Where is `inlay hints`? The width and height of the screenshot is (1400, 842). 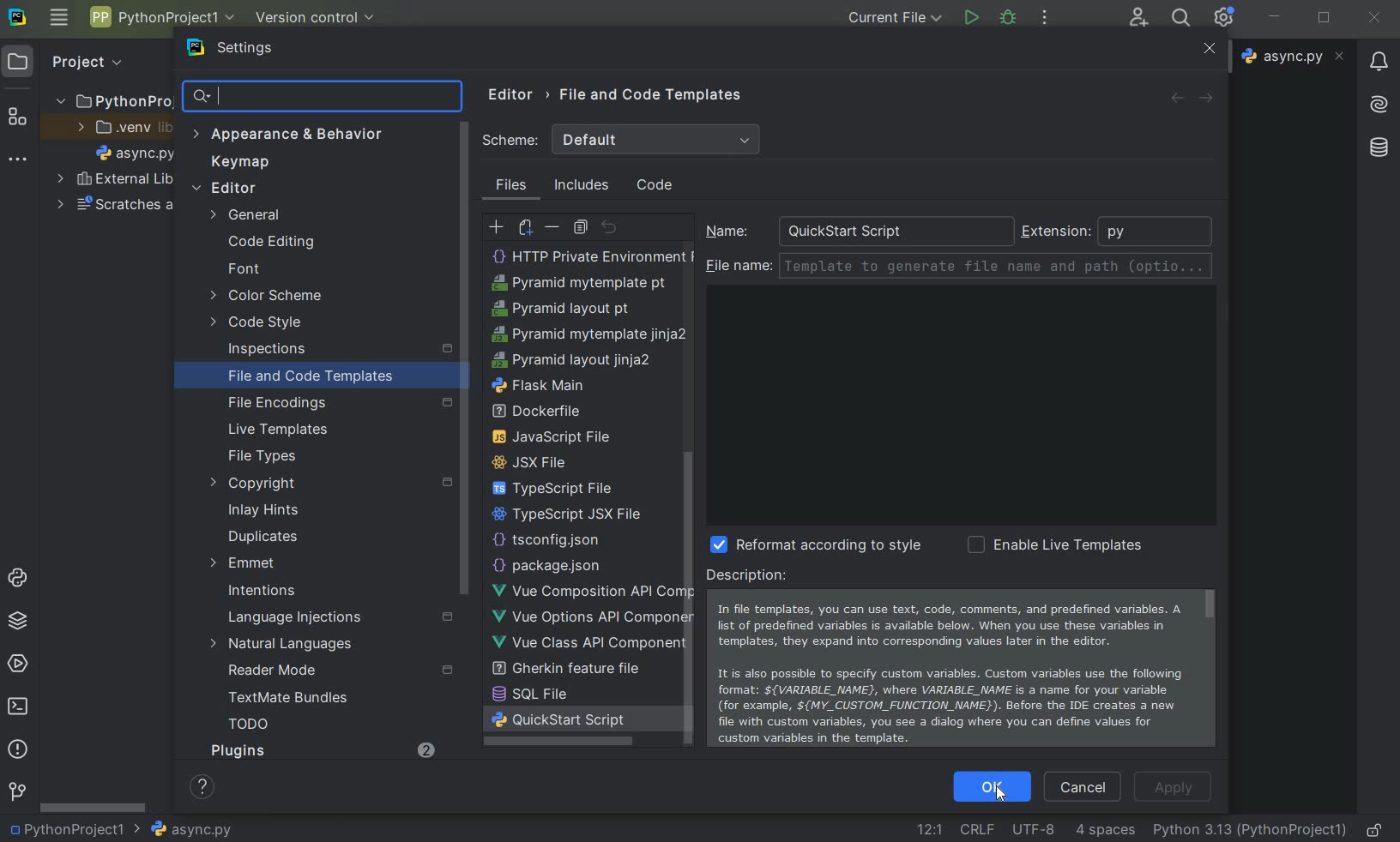
inlay hints is located at coordinates (287, 512).